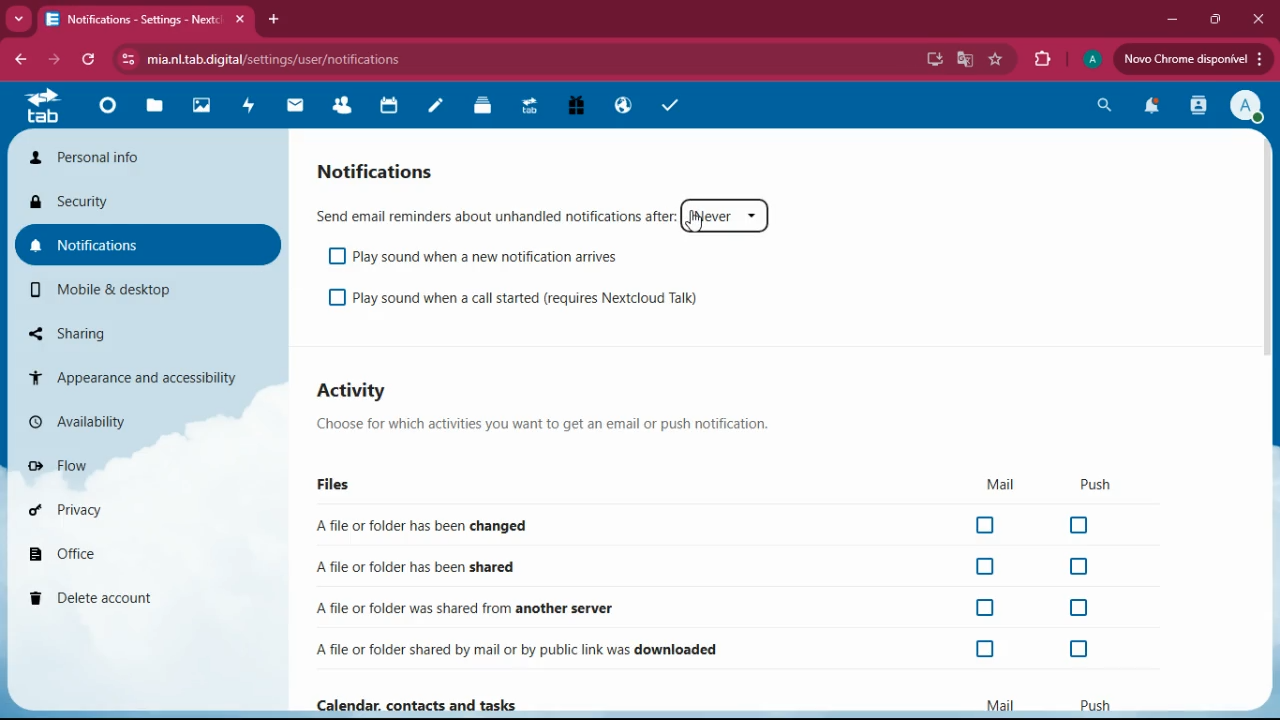 Image resolution: width=1280 pixels, height=720 pixels. Describe the element at coordinates (18, 60) in the screenshot. I see `back` at that location.